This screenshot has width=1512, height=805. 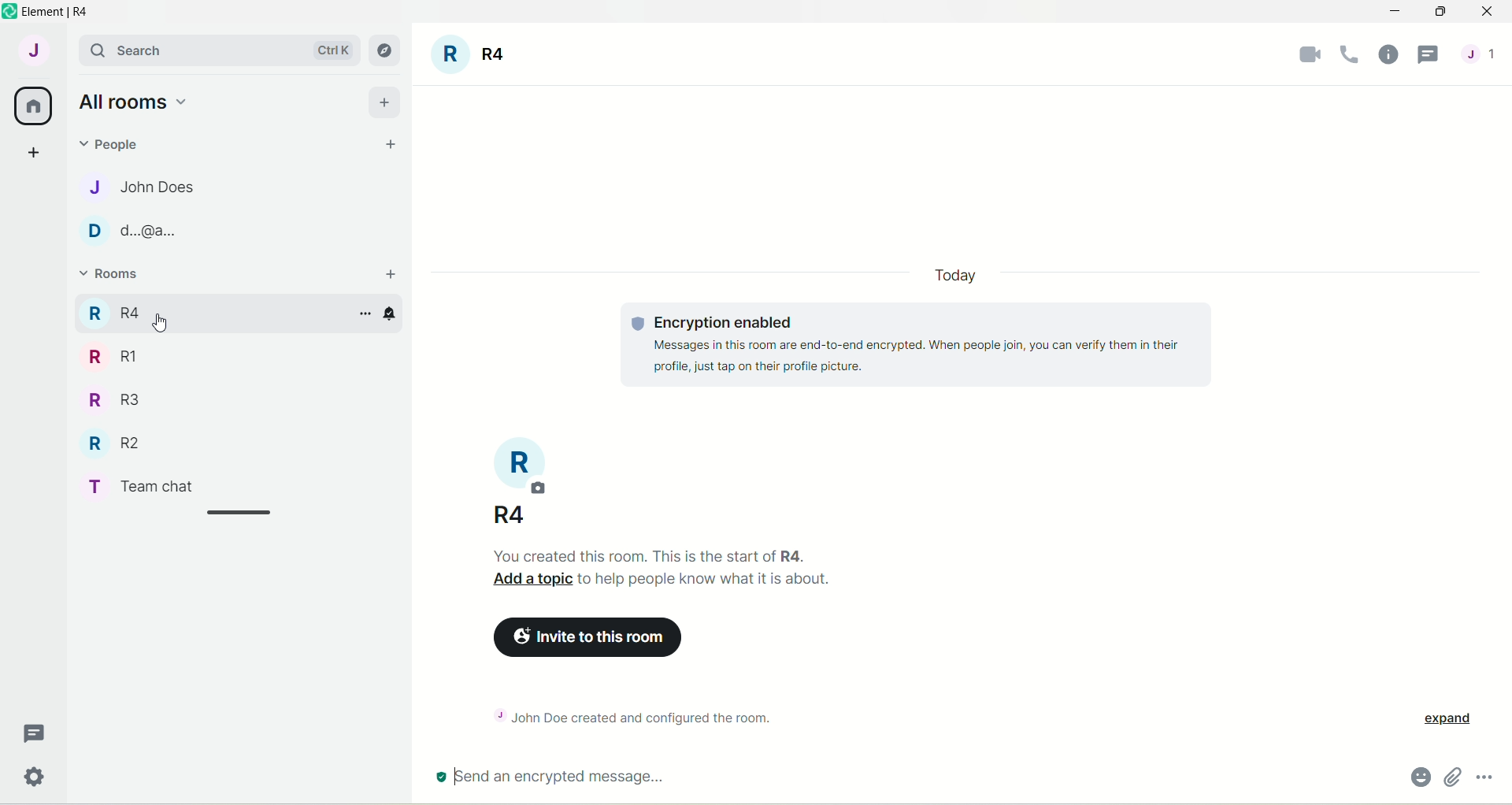 I want to click on You created this room. This is the start of R4.
Add a topic to help people know what it is about., so click(x=713, y=569).